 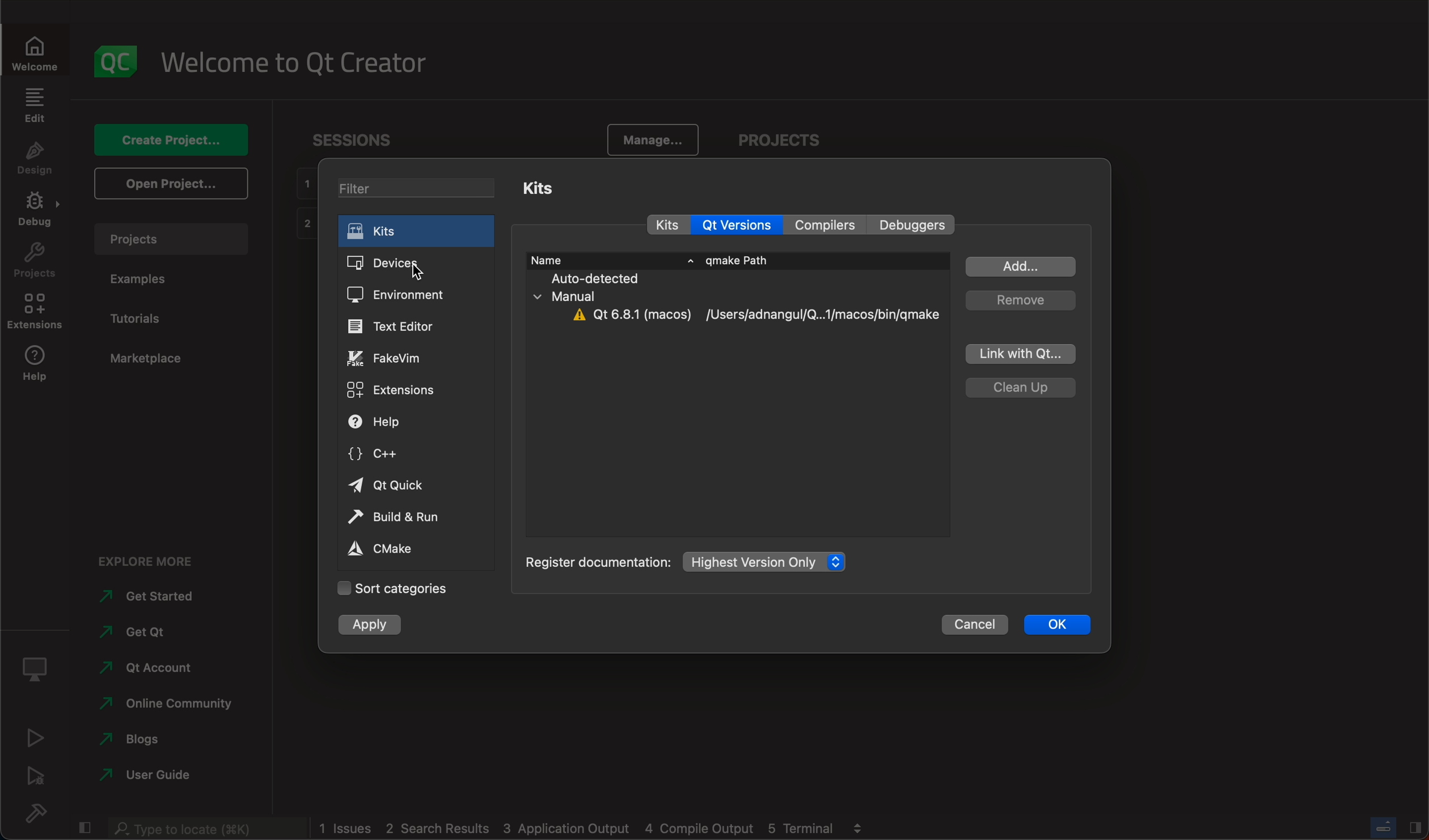 What do you see at coordinates (39, 366) in the screenshot?
I see `help` at bounding box center [39, 366].